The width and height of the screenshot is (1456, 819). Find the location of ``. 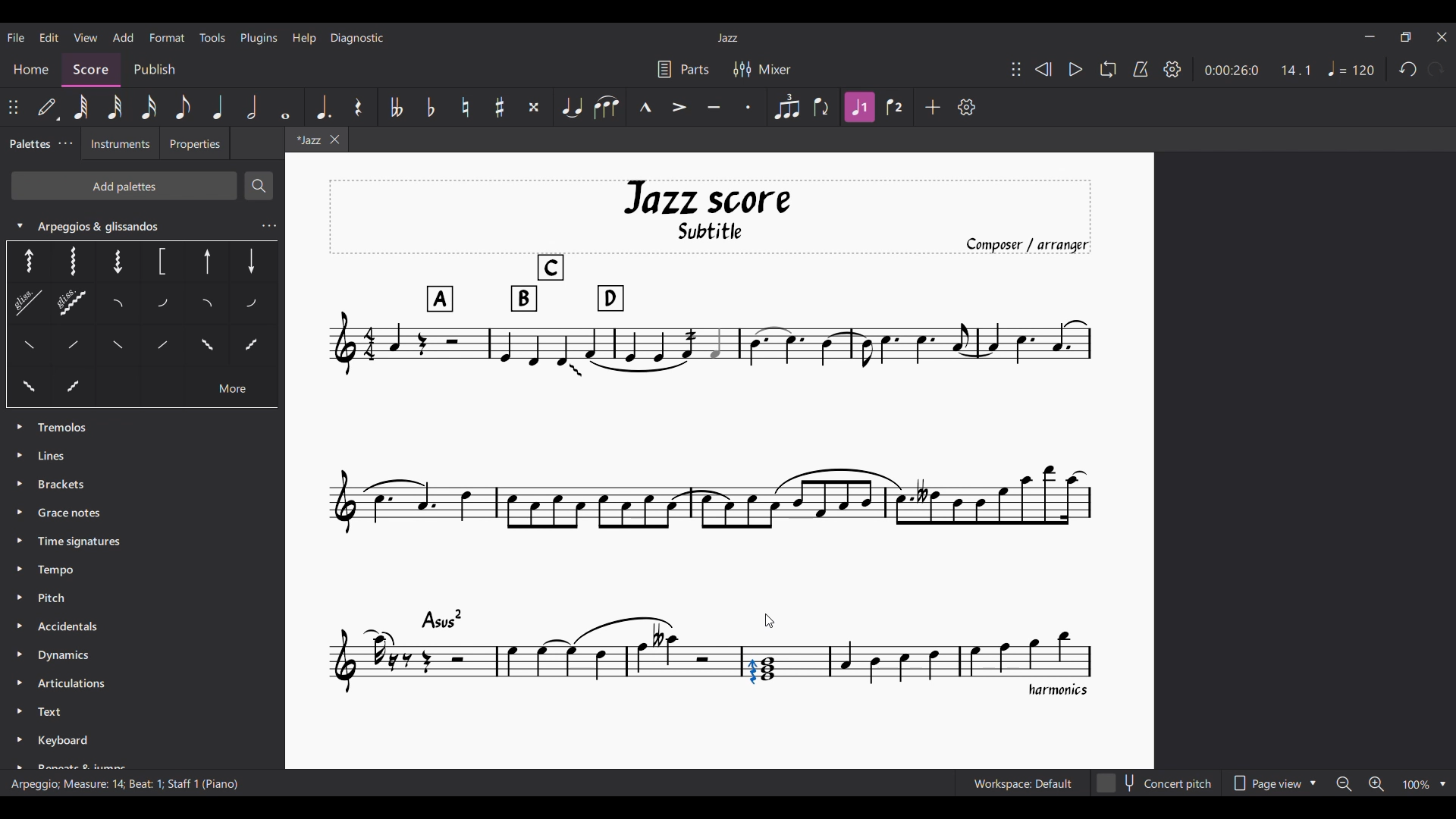

 is located at coordinates (160, 344).